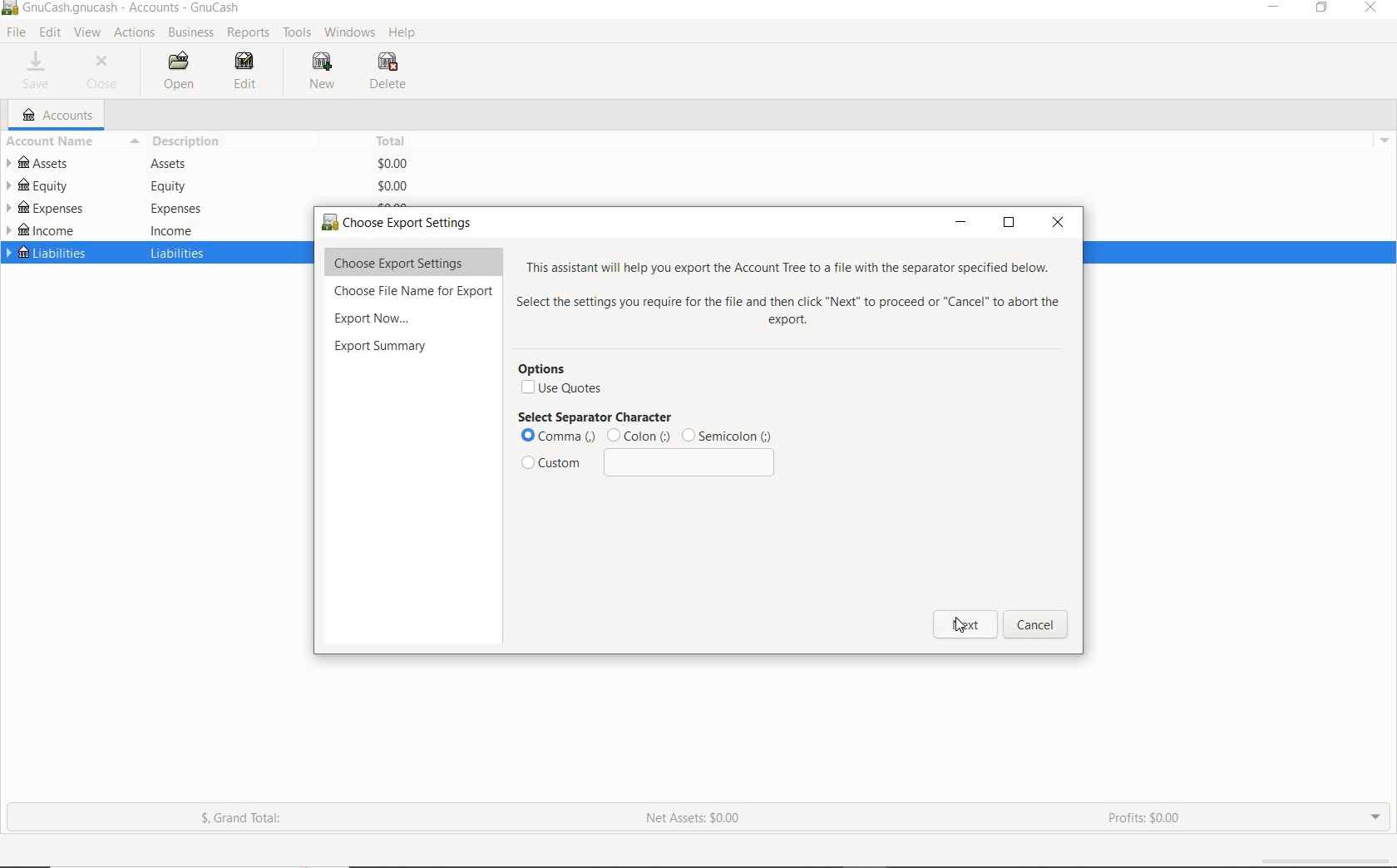  What do you see at coordinates (392, 162) in the screenshot?
I see `$0.00` at bounding box center [392, 162].